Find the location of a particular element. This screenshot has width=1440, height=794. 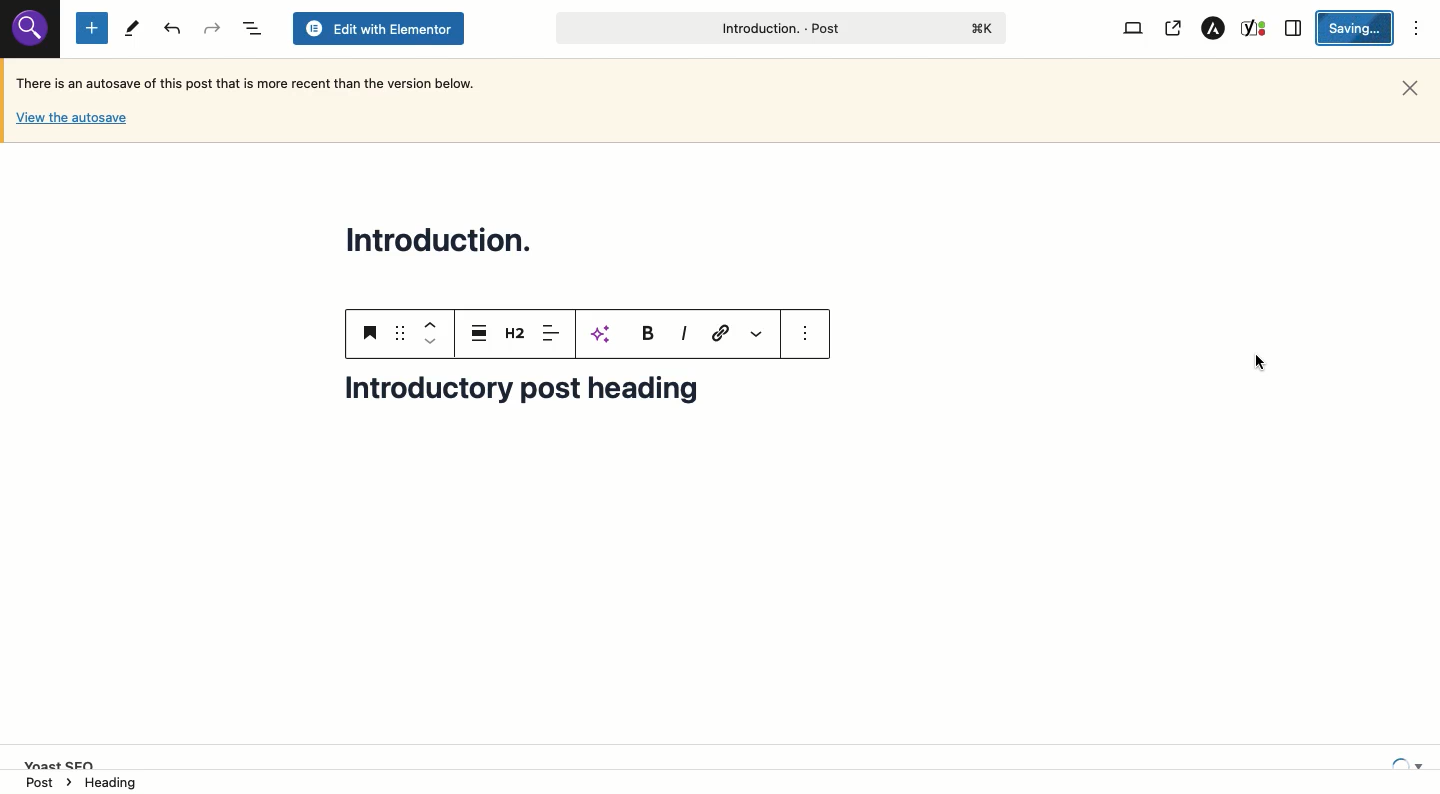

Bold is located at coordinates (646, 332).